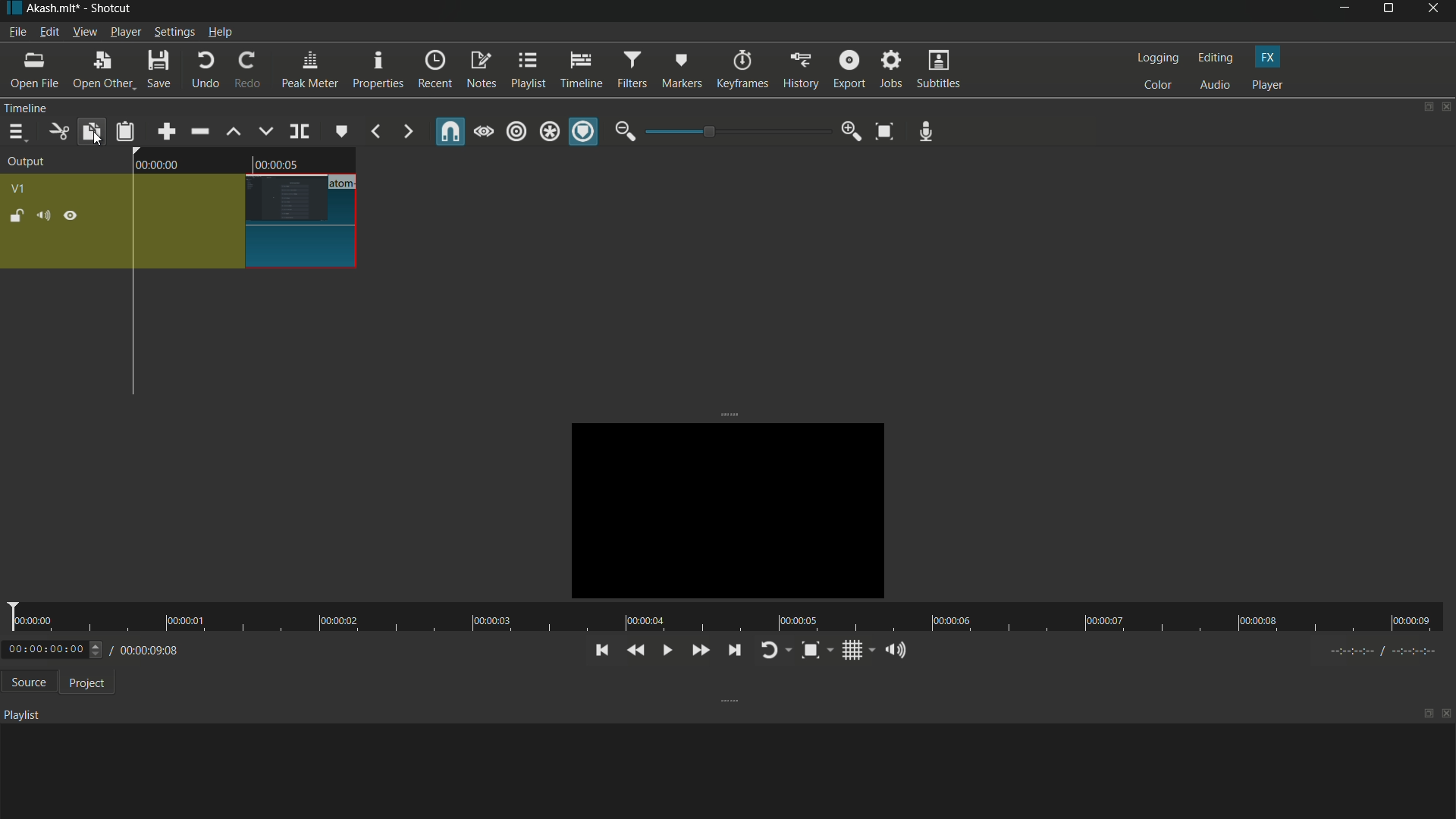  Describe the element at coordinates (266, 130) in the screenshot. I see `overwrite` at that location.